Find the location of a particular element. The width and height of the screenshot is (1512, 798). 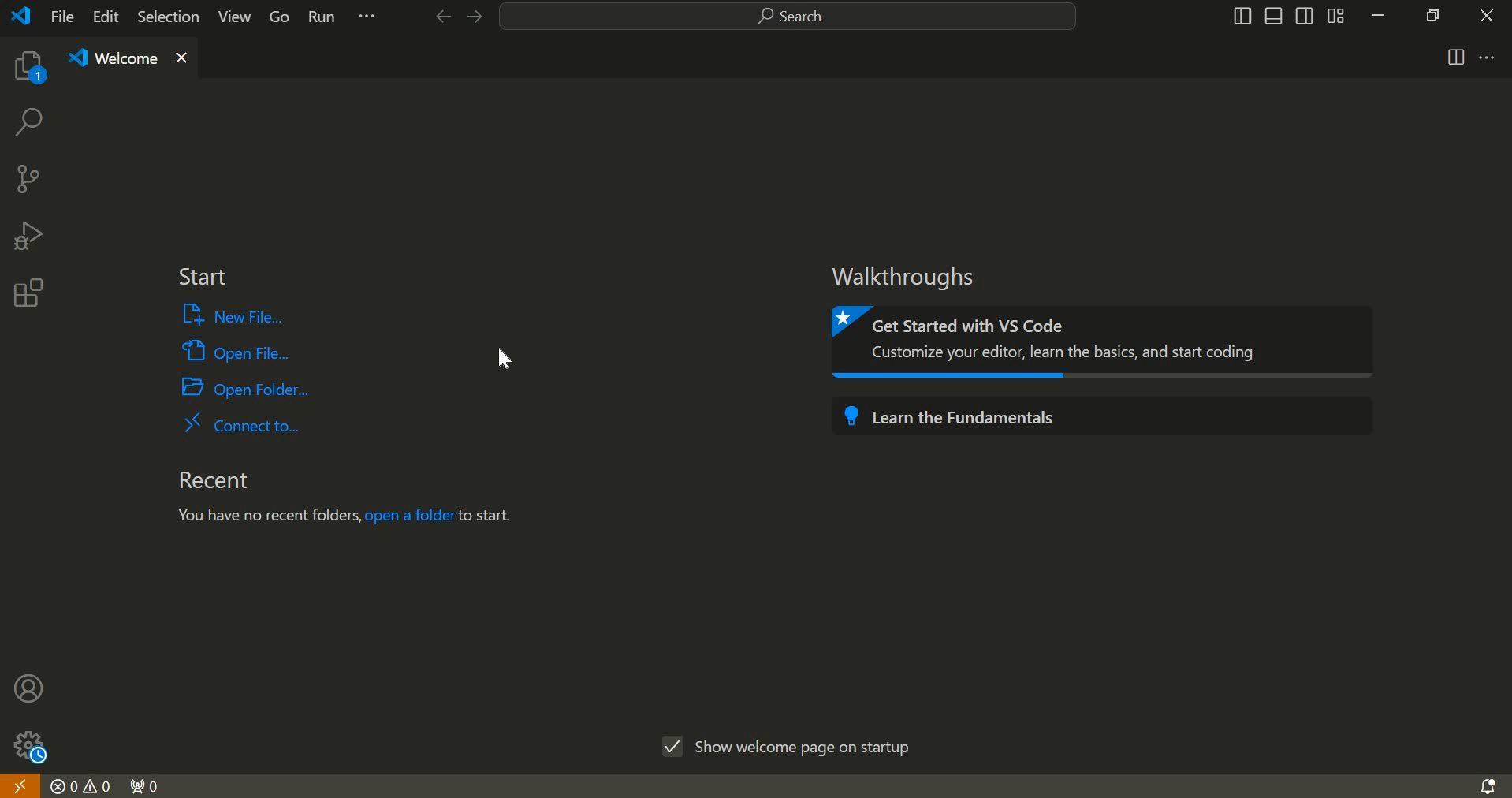

open folder is located at coordinates (248, 386).